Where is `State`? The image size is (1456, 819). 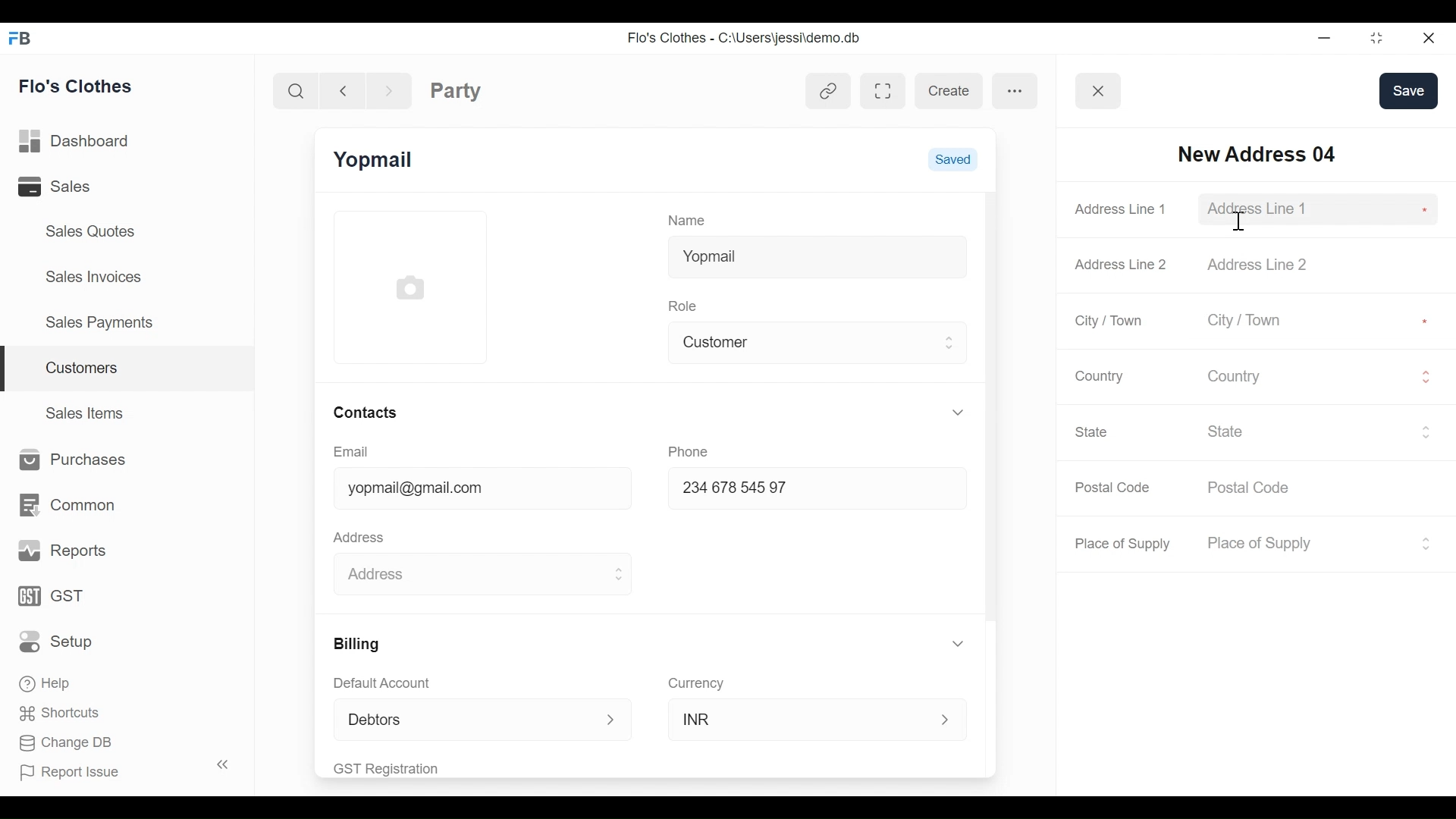
State is located at coordinates (1308, 431).